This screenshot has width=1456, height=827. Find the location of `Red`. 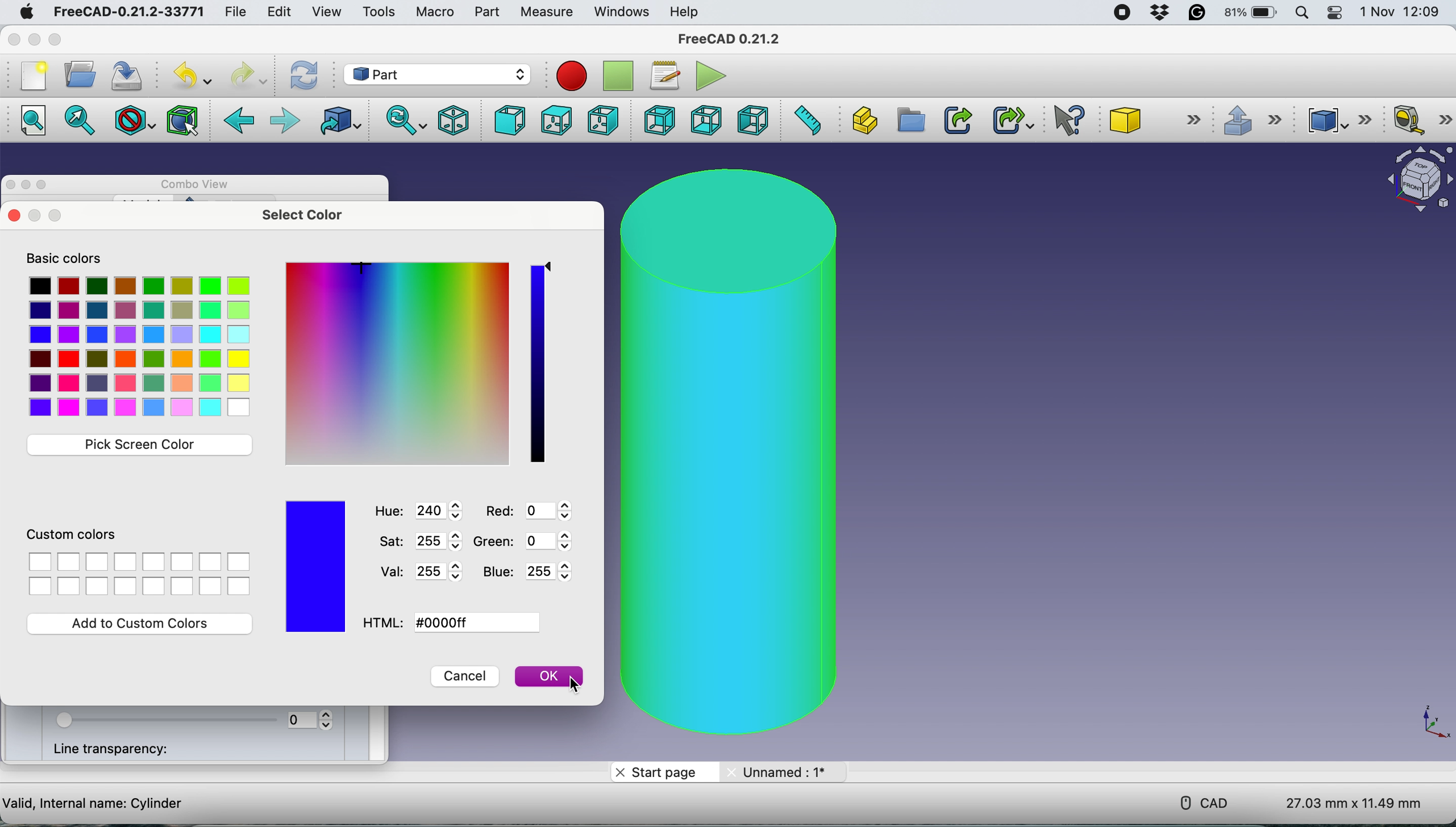

Red is located at coordinates (531, 508).